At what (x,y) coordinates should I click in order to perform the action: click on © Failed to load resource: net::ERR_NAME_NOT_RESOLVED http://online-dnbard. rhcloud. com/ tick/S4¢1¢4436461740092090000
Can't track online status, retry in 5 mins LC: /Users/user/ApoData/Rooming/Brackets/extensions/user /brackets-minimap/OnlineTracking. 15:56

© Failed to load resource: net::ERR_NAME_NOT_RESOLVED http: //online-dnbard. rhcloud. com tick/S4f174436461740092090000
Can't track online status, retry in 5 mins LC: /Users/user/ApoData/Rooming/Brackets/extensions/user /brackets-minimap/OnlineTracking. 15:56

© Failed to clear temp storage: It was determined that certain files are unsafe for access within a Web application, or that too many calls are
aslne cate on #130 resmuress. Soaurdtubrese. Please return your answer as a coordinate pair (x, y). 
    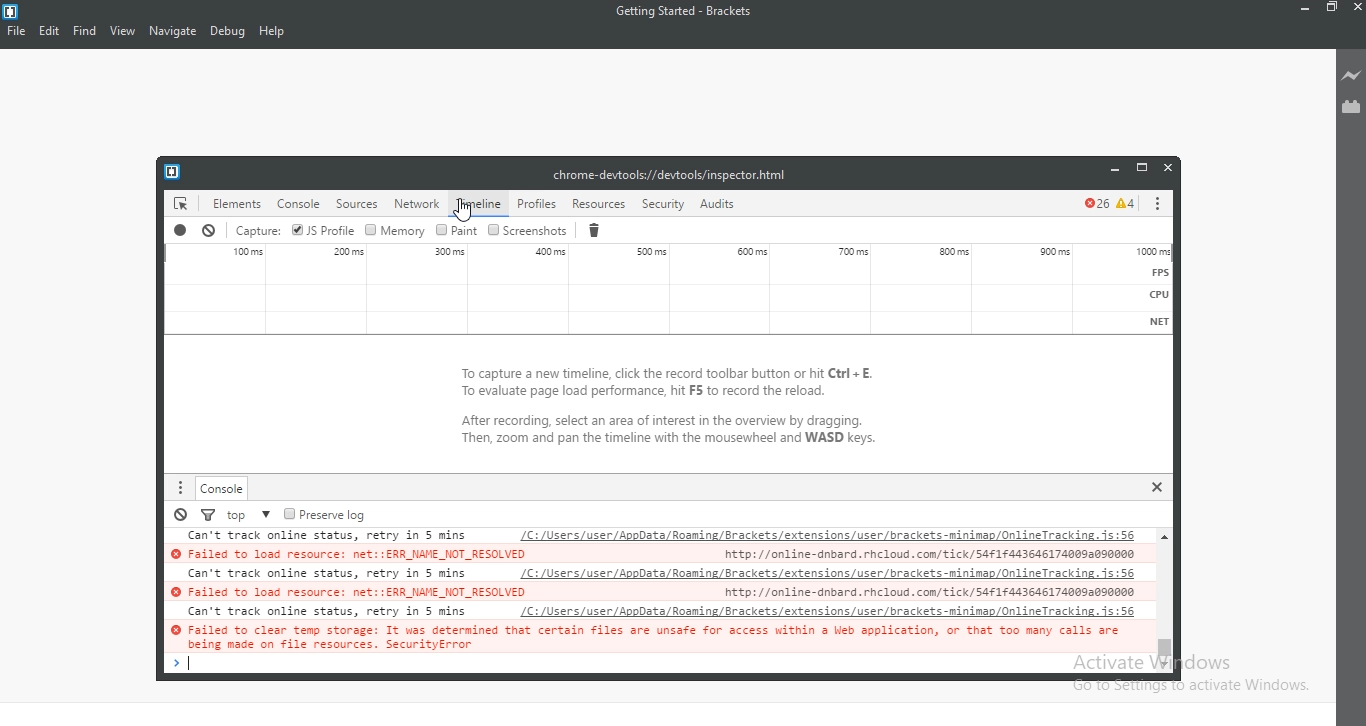
    Looking at the image, I should click on (657, 589).